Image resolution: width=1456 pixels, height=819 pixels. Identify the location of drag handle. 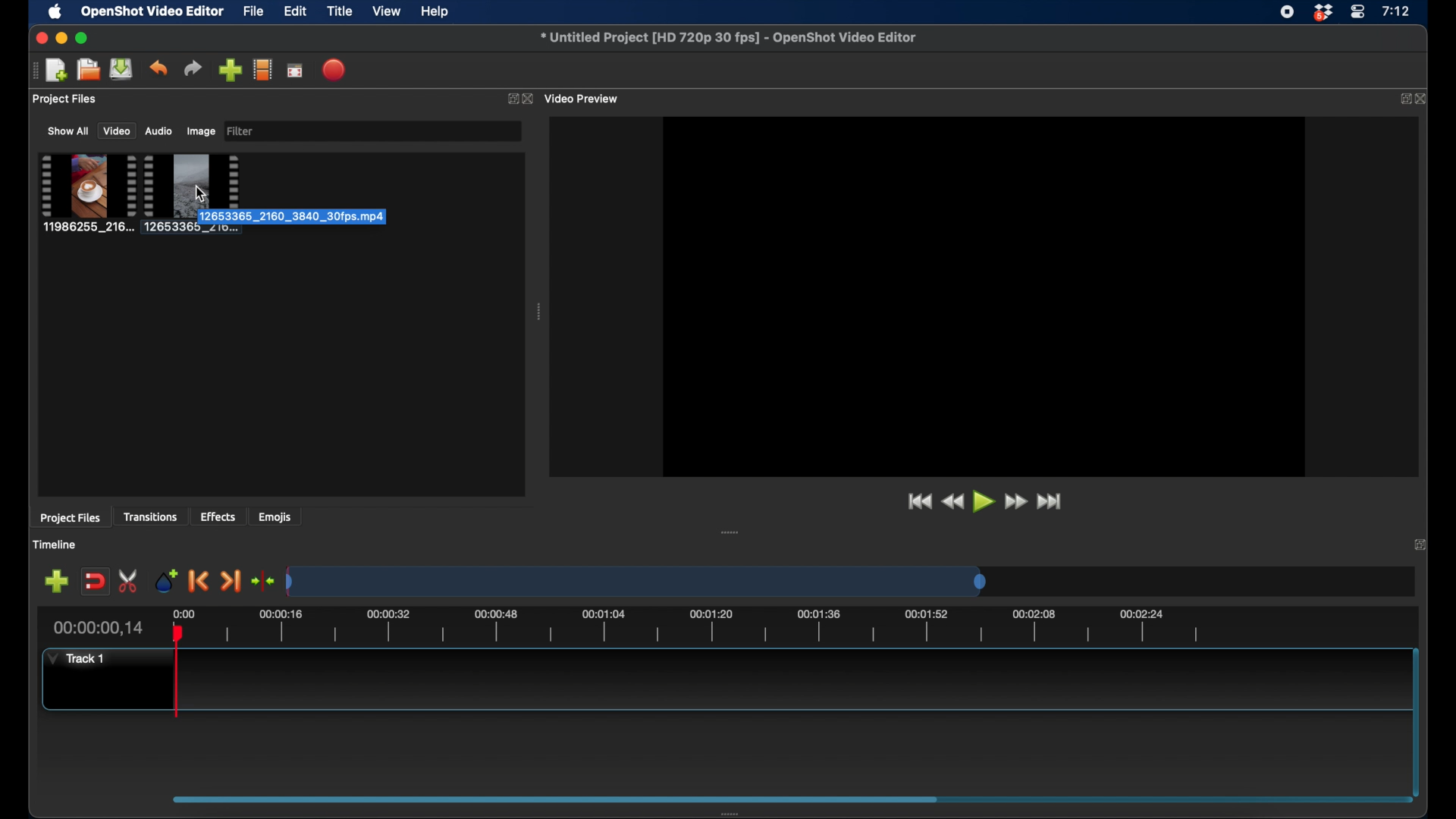
(555, 798).